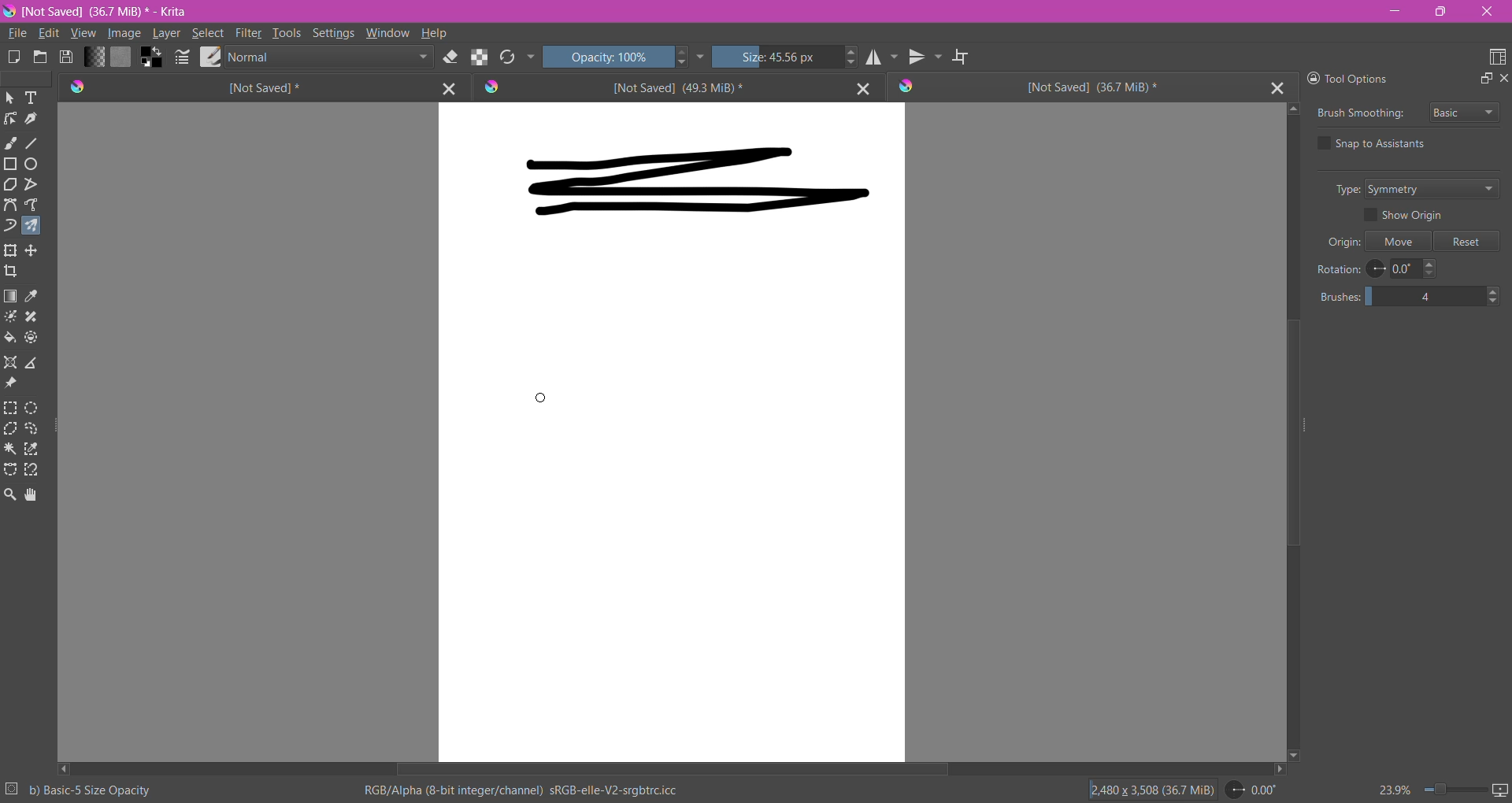 The width and height of the screenshot is (1512, 803). Describe the element at coordinates (328, 57) in the screenshot. I see `Blending Mode` at that location.